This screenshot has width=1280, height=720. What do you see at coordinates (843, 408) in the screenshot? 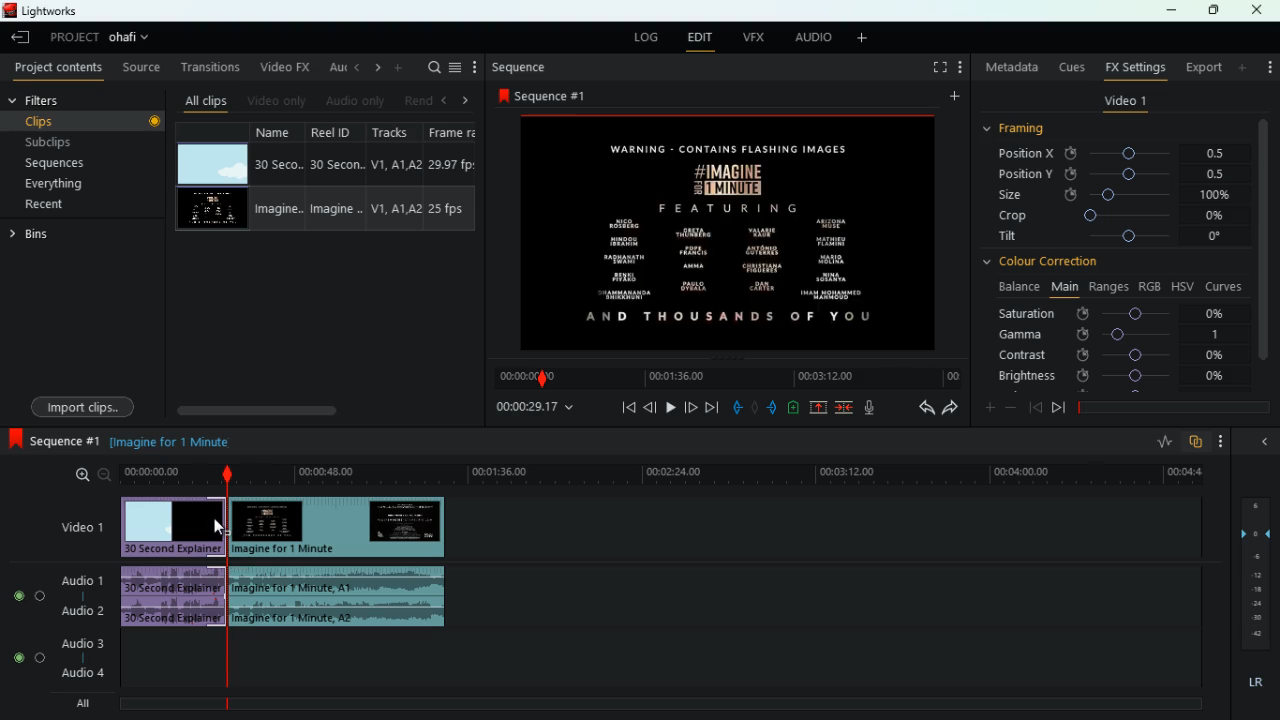
I see `join` at bounding box center [843, 408].